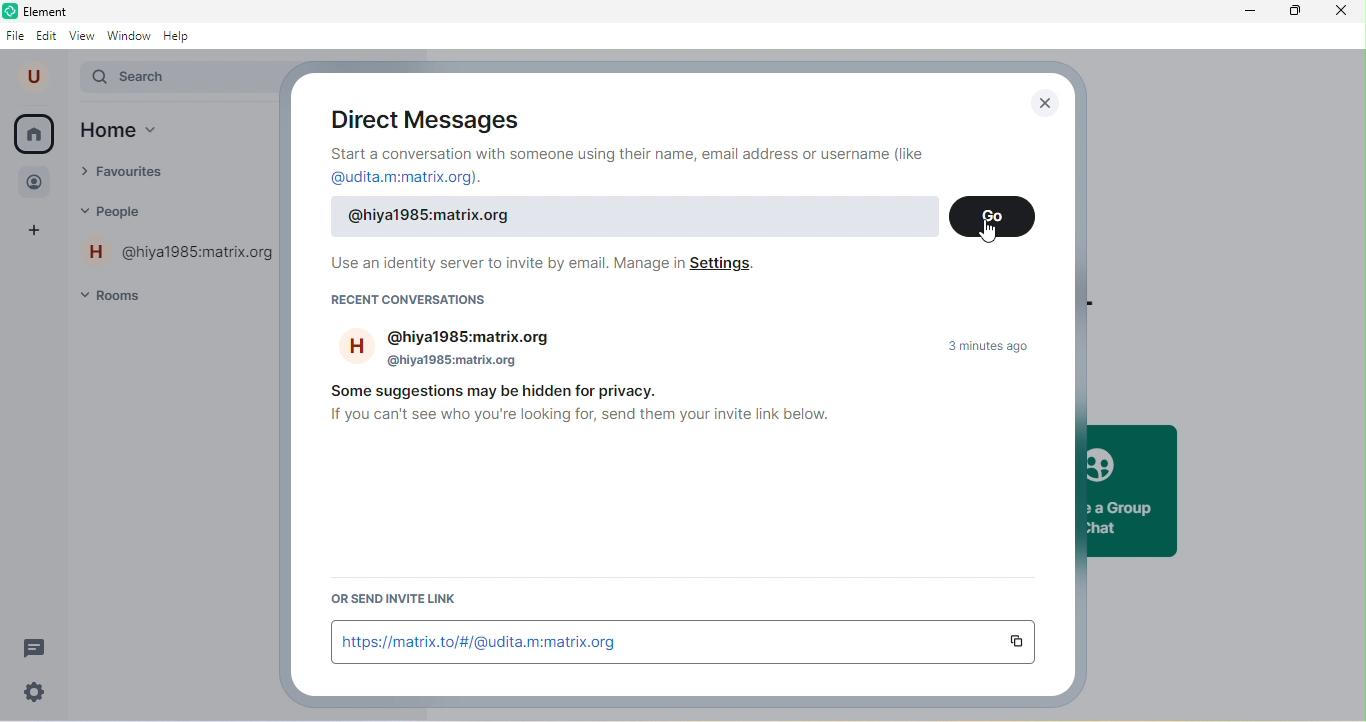  What do you see at coordinates (36, 691) in the screenshot?
I see `settings` at bounding box center [36, 691].